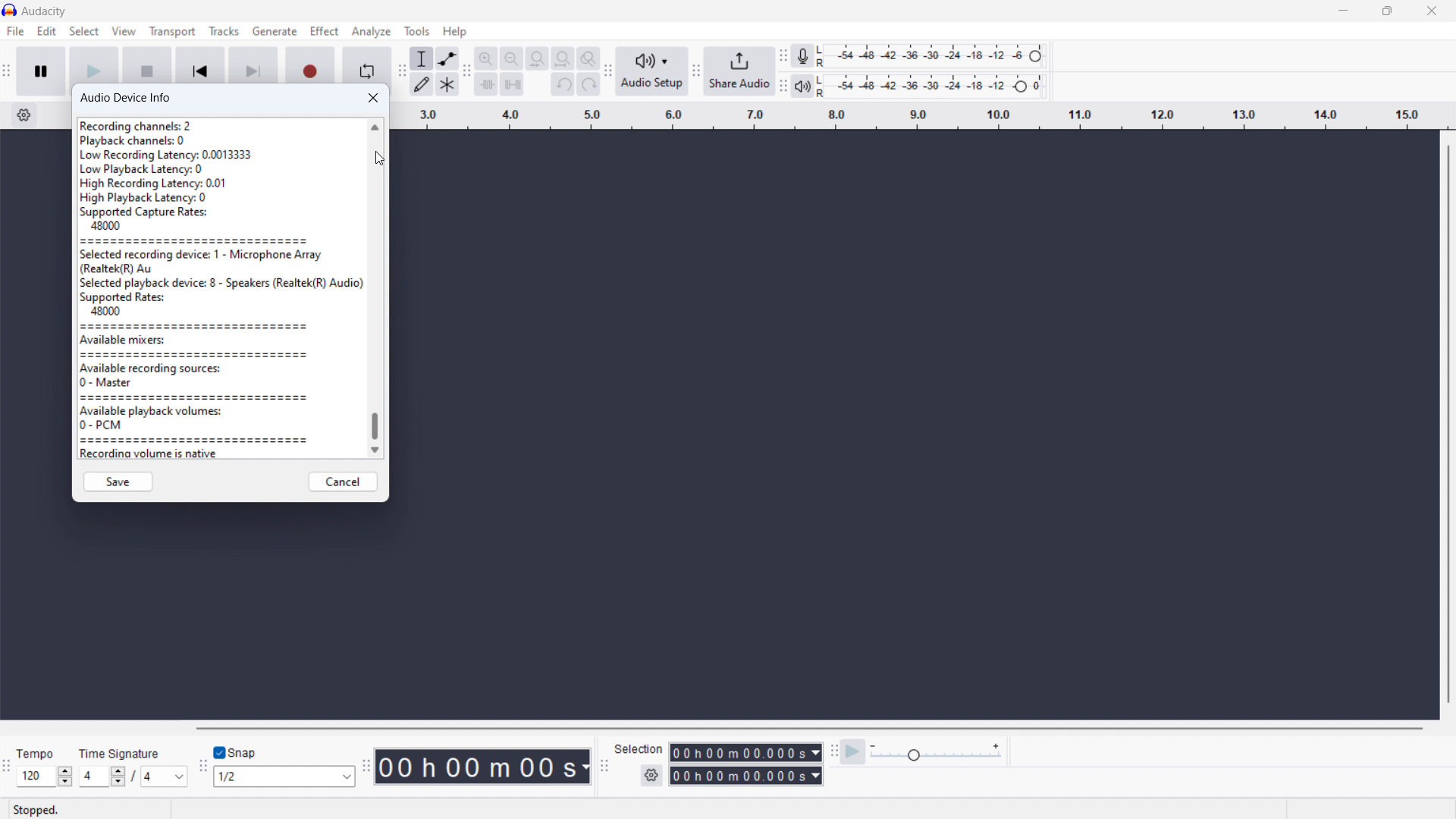 Image resolution: width=1456 pixels, height=819 pixels. Describe the element at coordinates (1445, 428) in the screenshot. I see `Vertical scroll bar` at that location.